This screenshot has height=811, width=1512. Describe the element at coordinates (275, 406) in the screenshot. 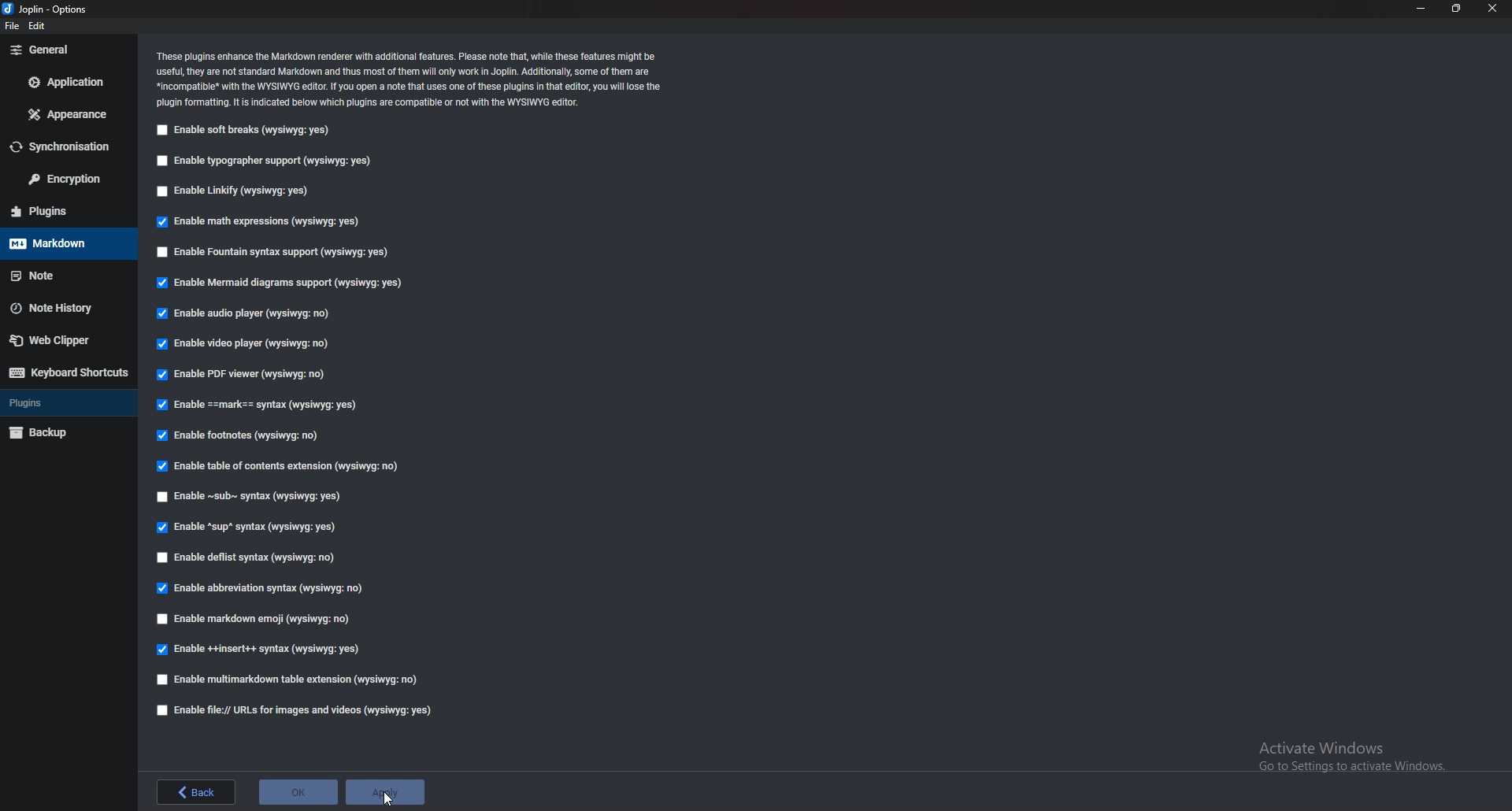

I see `Enable Mark Syntax` at that location.